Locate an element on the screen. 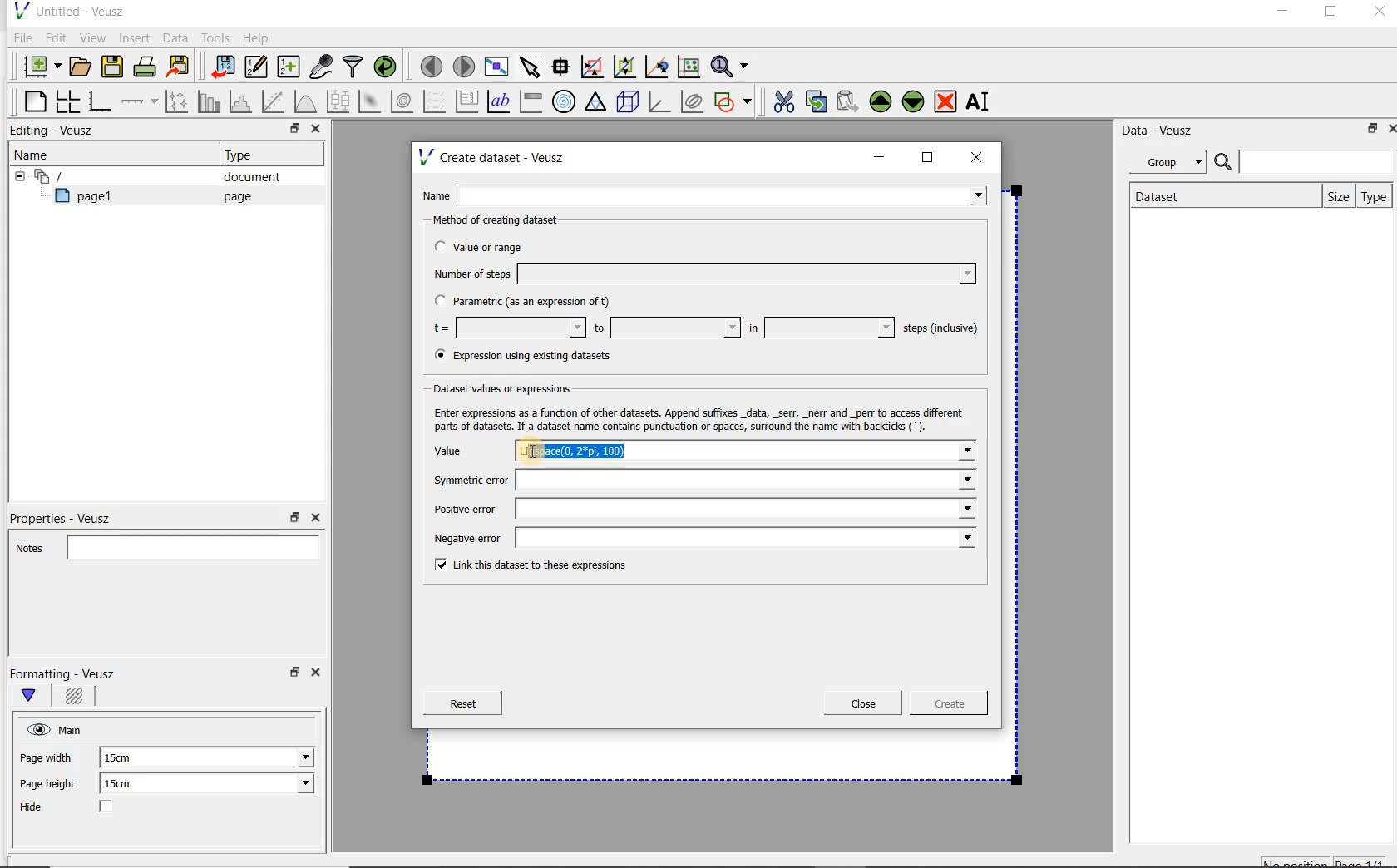 Image resolution: width=1397 pixels, height=868 pixels. Enter expressions as a function of other datasets. Append suffixes _data, _serr, _nerr and _perr to access different
parts of datasets. If a dataset name contains punctuation or spaces, surround the name with backticks (*). is located at coordinates (703, 419).